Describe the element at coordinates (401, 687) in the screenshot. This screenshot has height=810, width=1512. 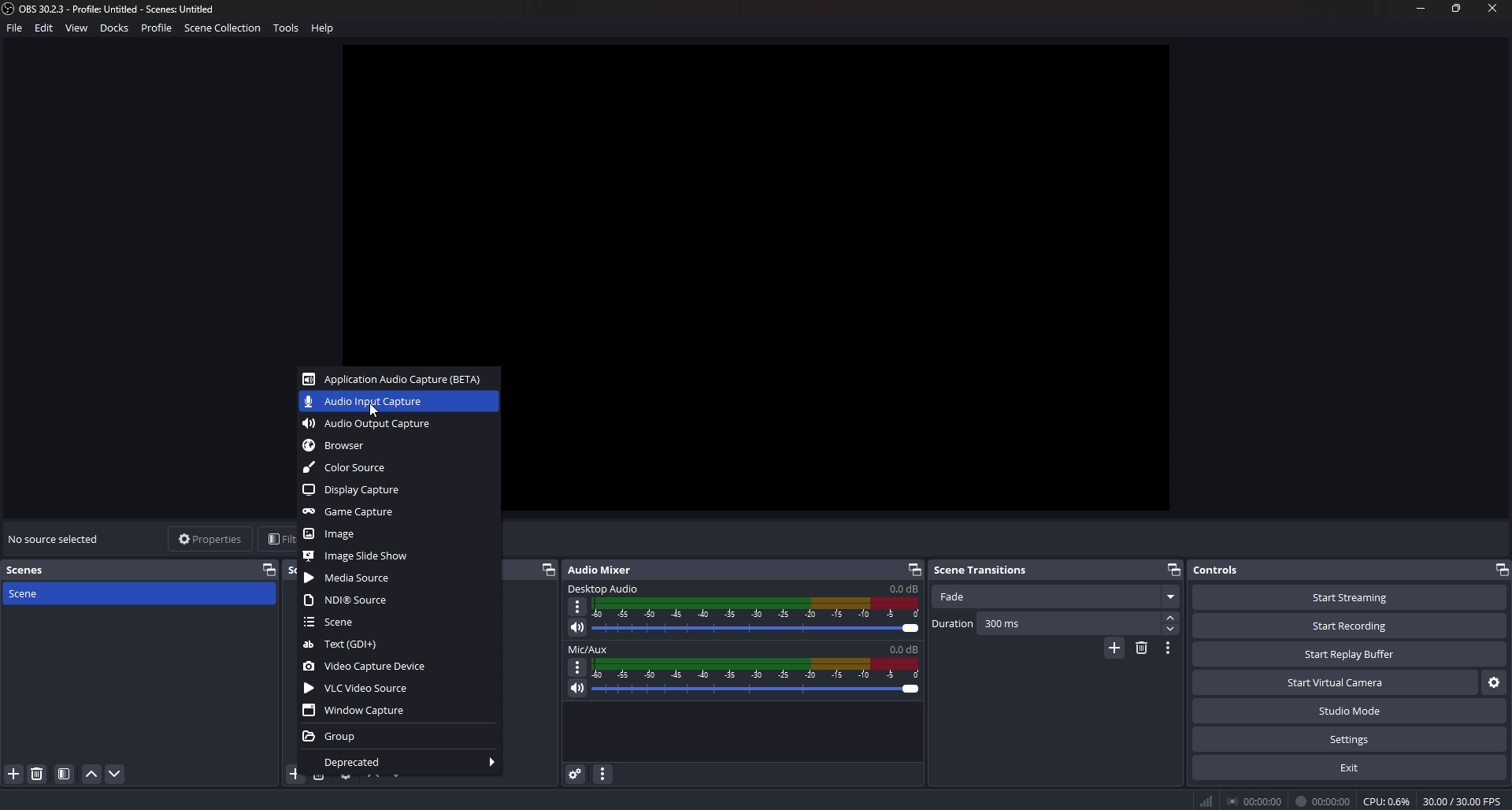
I see `vlc video source` at that location.